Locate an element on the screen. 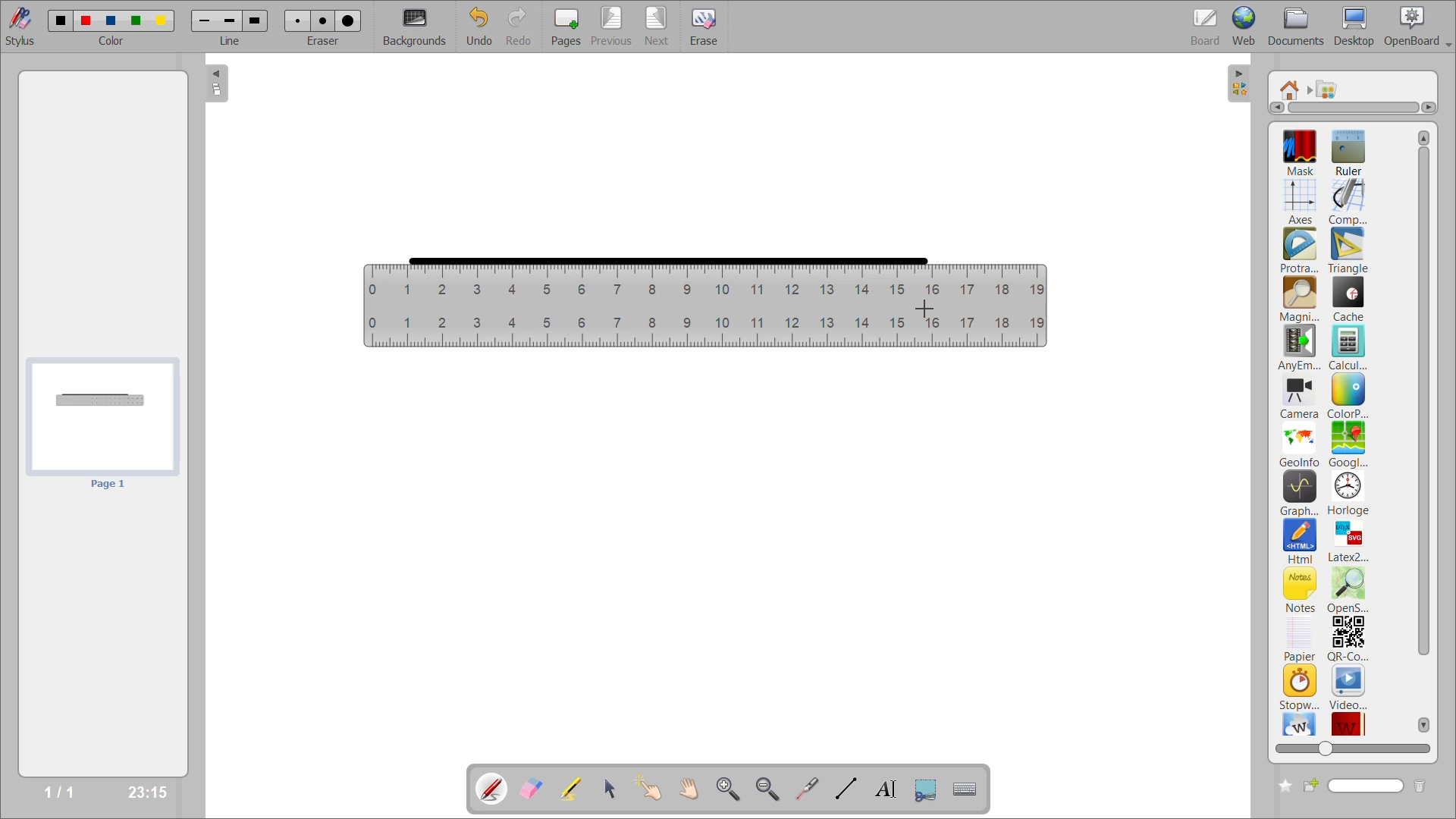 Image resolution: width=1456 pixels, height=819 pixels. camera is located at coordinates (1300, 398).